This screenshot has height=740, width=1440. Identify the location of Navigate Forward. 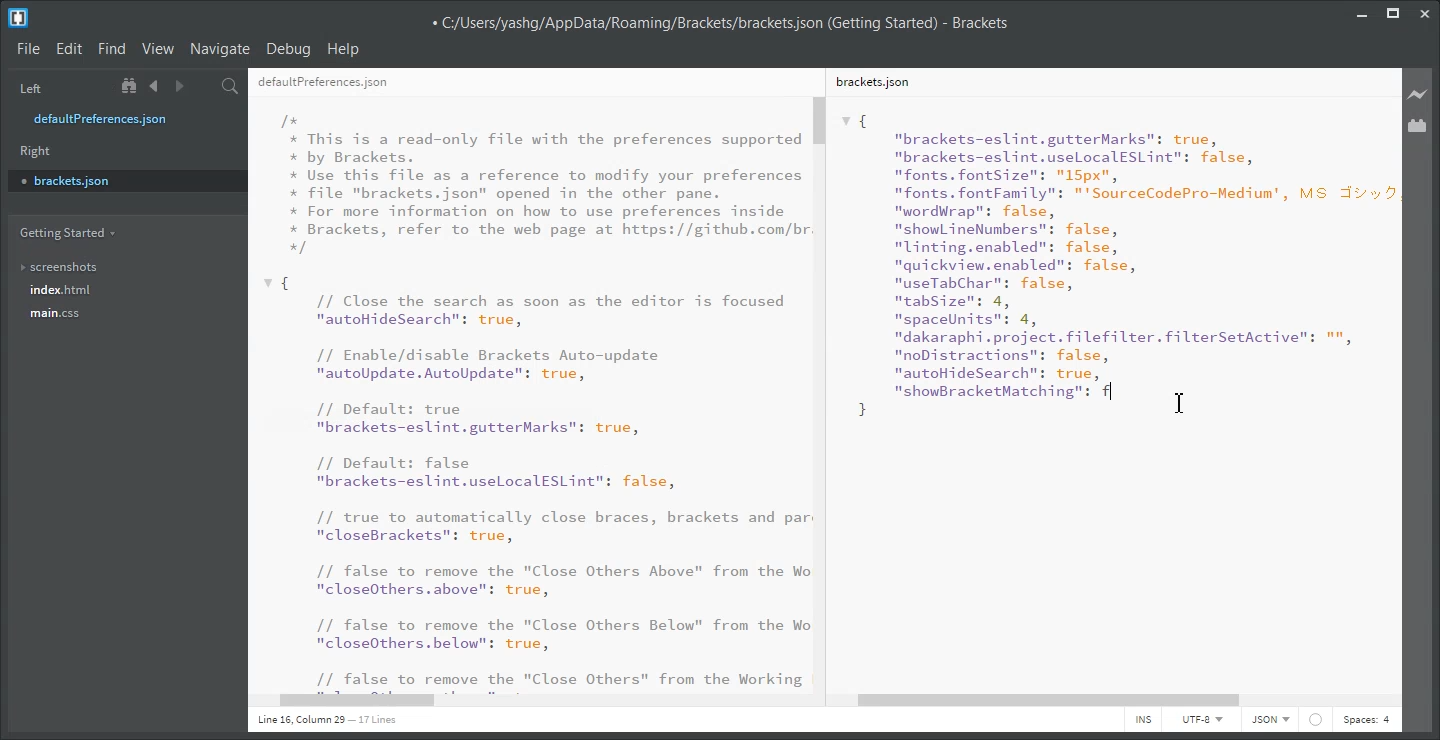
(179, 86).